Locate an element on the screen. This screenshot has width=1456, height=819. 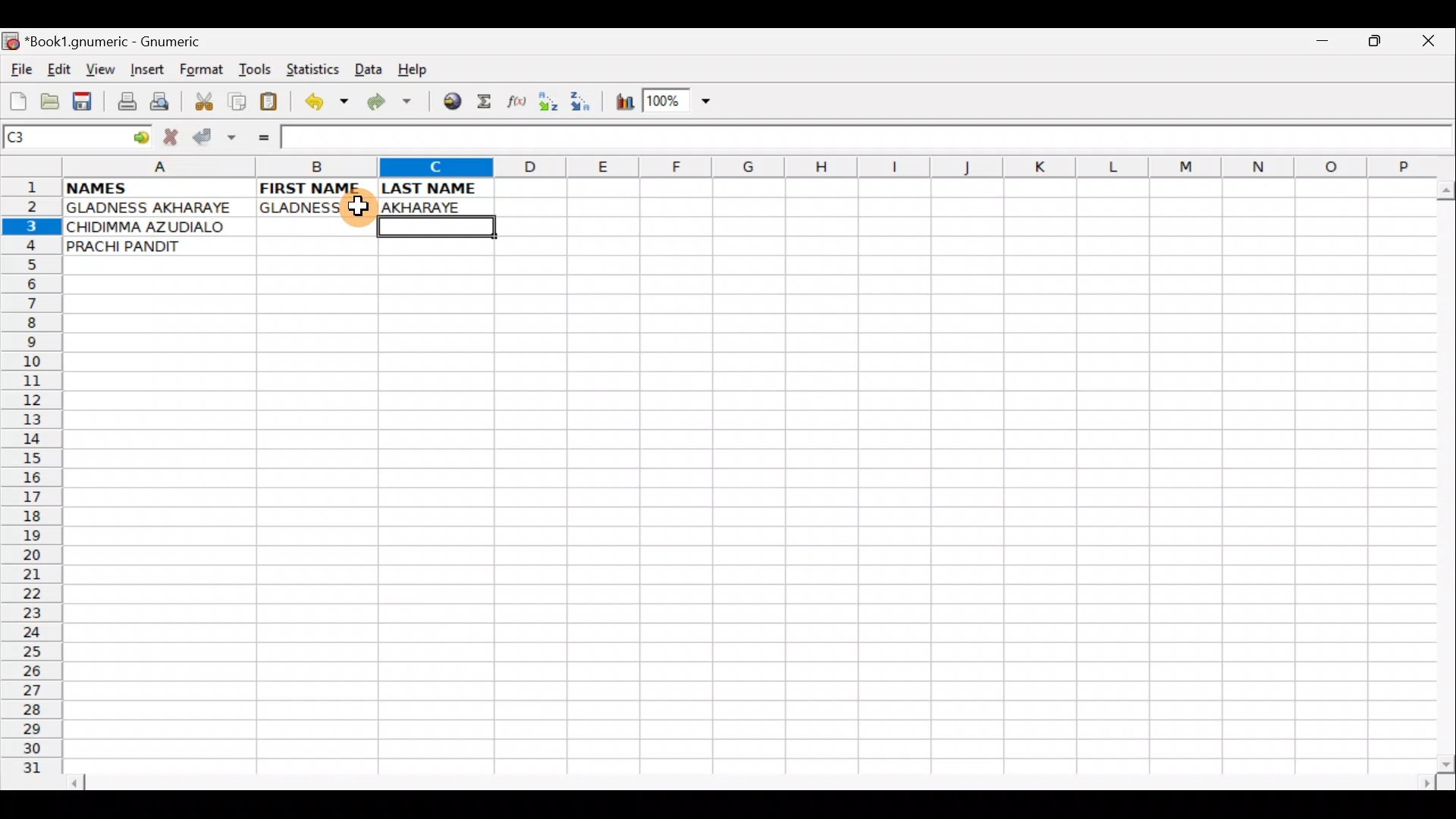
Data is located at coordinates (368, 68).